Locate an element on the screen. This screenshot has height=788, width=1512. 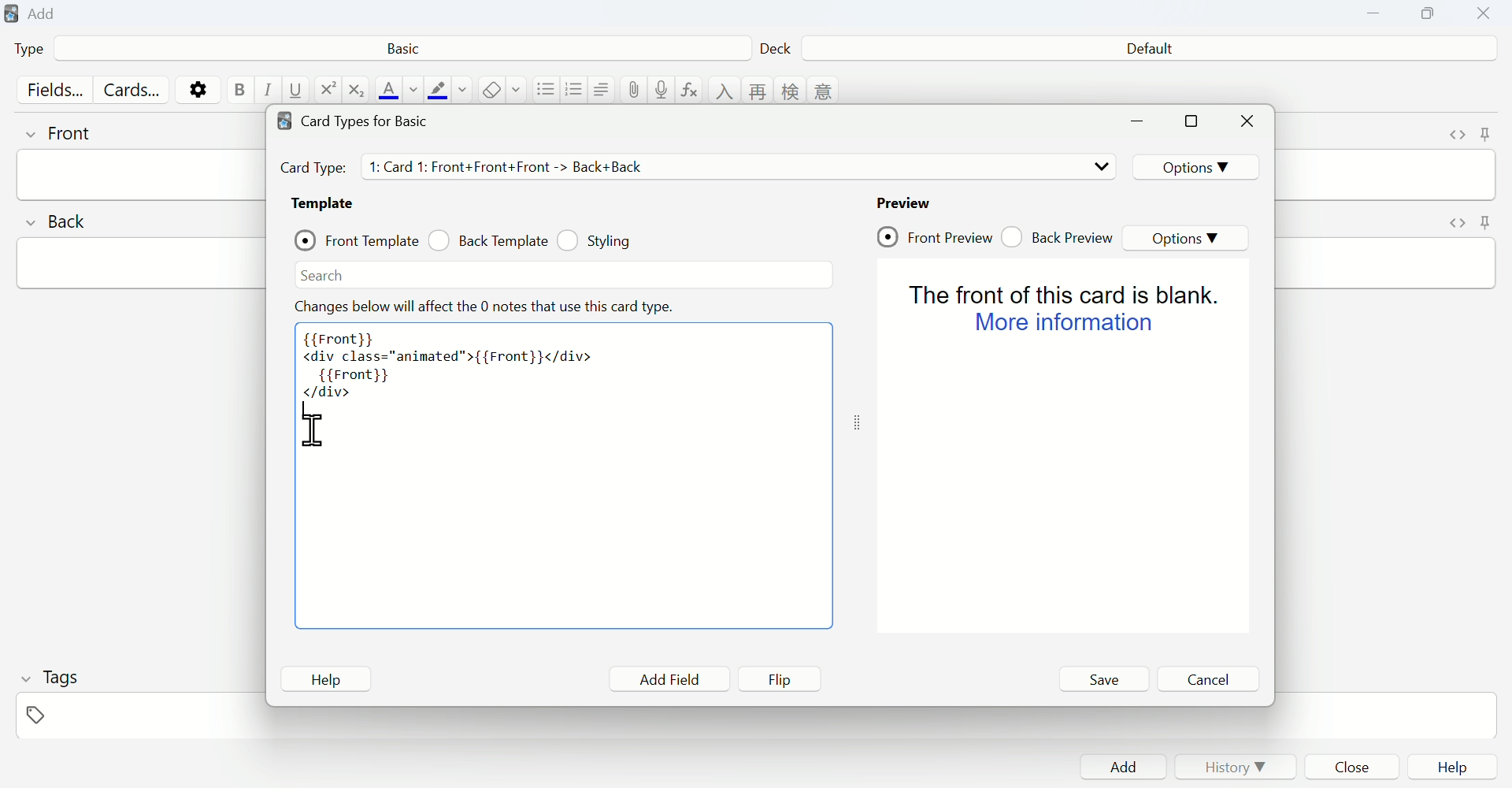
equations is located at coordinates (689, 90).